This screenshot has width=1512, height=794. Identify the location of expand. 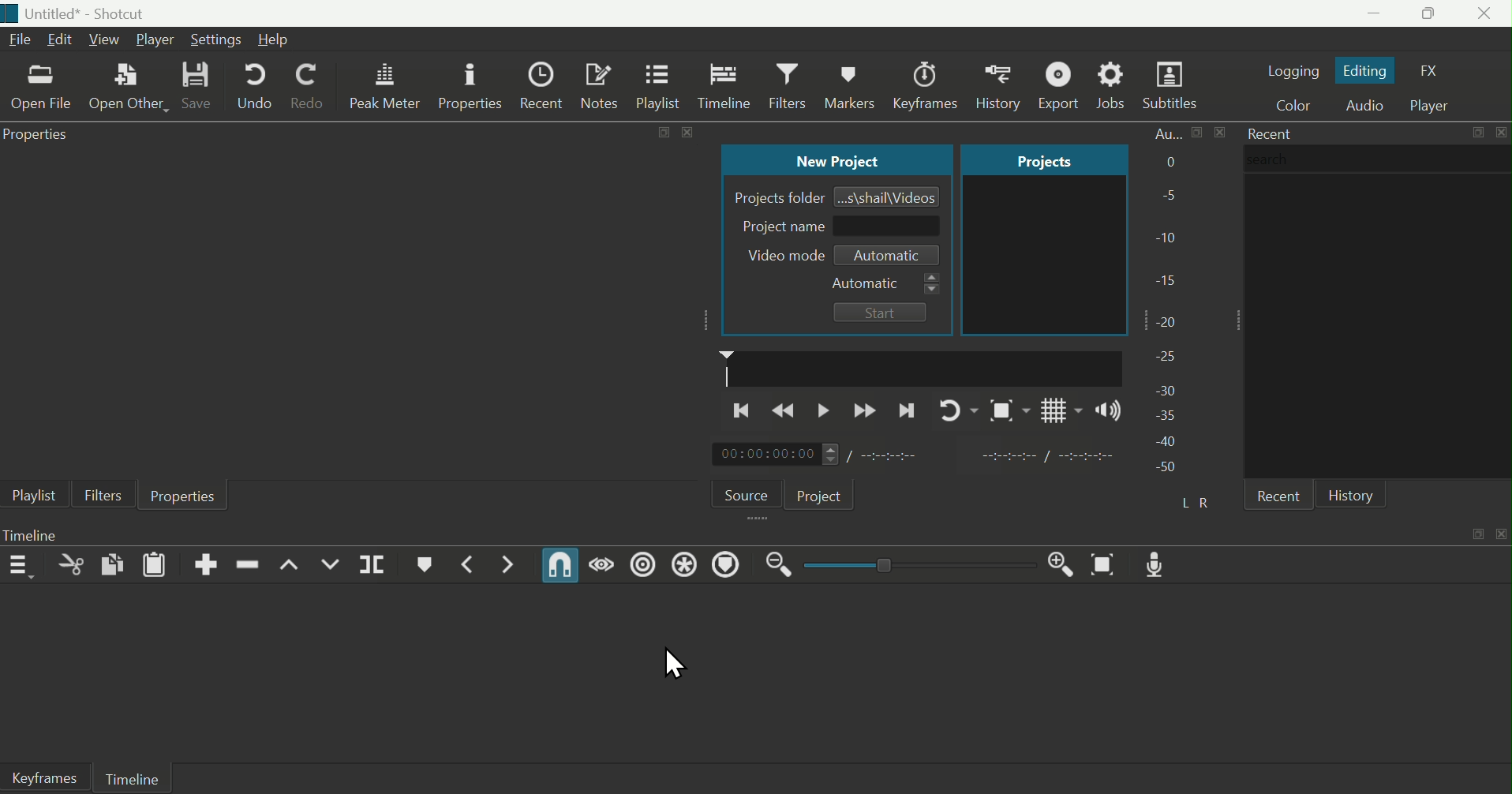
(1477, 133).